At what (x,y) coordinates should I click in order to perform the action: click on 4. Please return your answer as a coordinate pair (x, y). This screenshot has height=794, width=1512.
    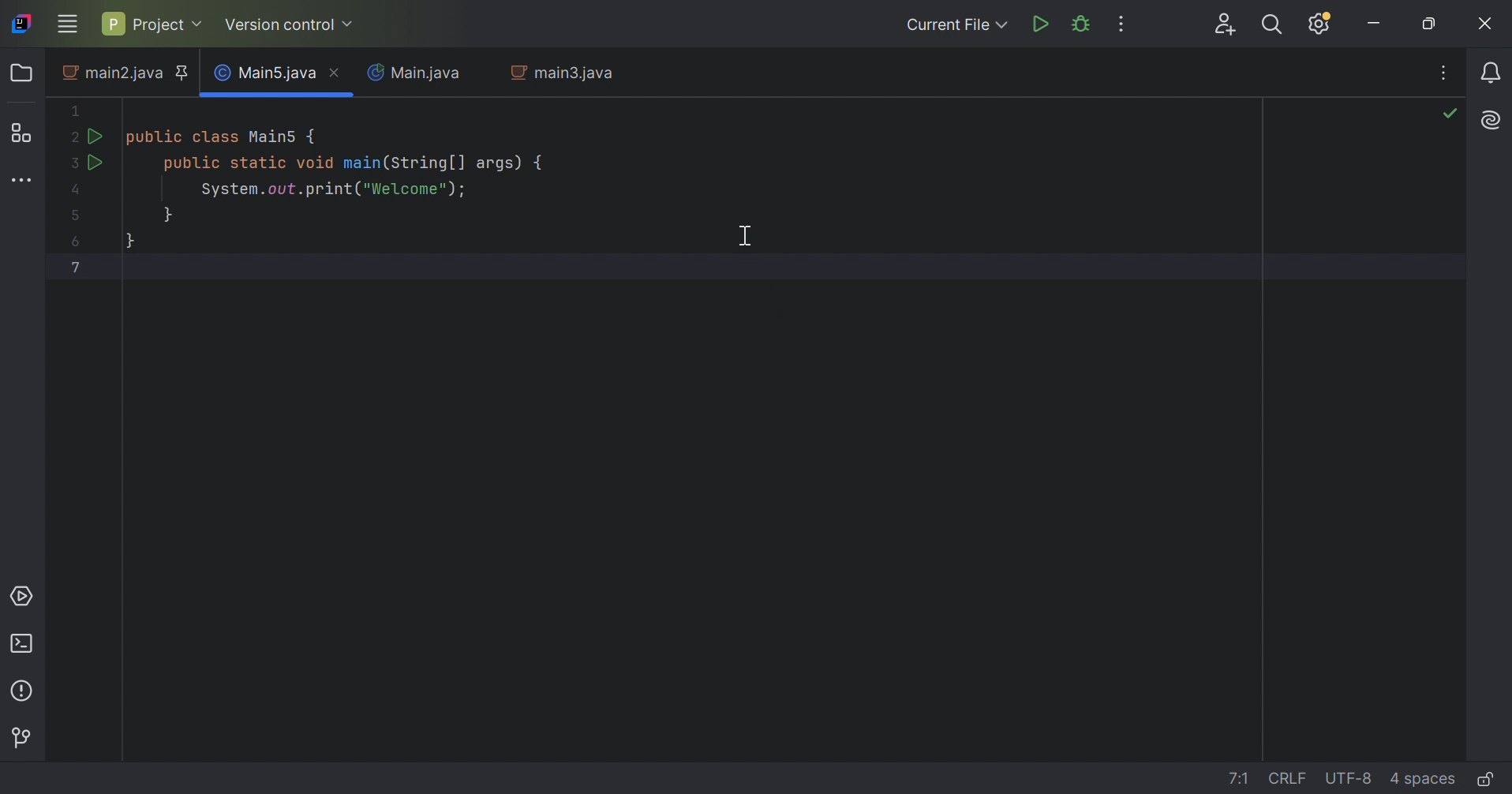
    Looking at the image, I should click on (77, 190).